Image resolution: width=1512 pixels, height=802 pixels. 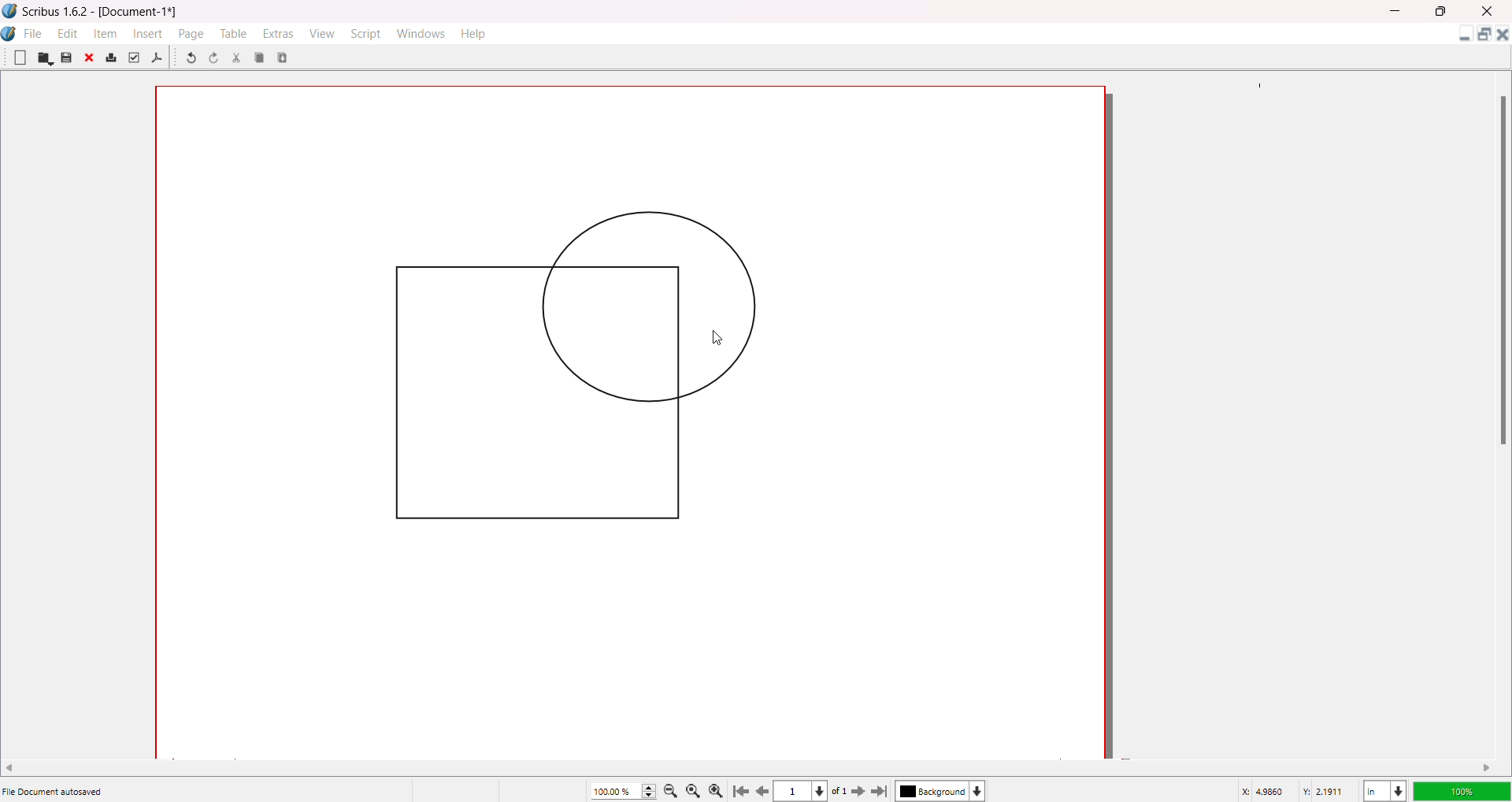 What do you see at coordinates (284, 57) in the screenshot?
I see `Paste` at bounding box center [284, 57].